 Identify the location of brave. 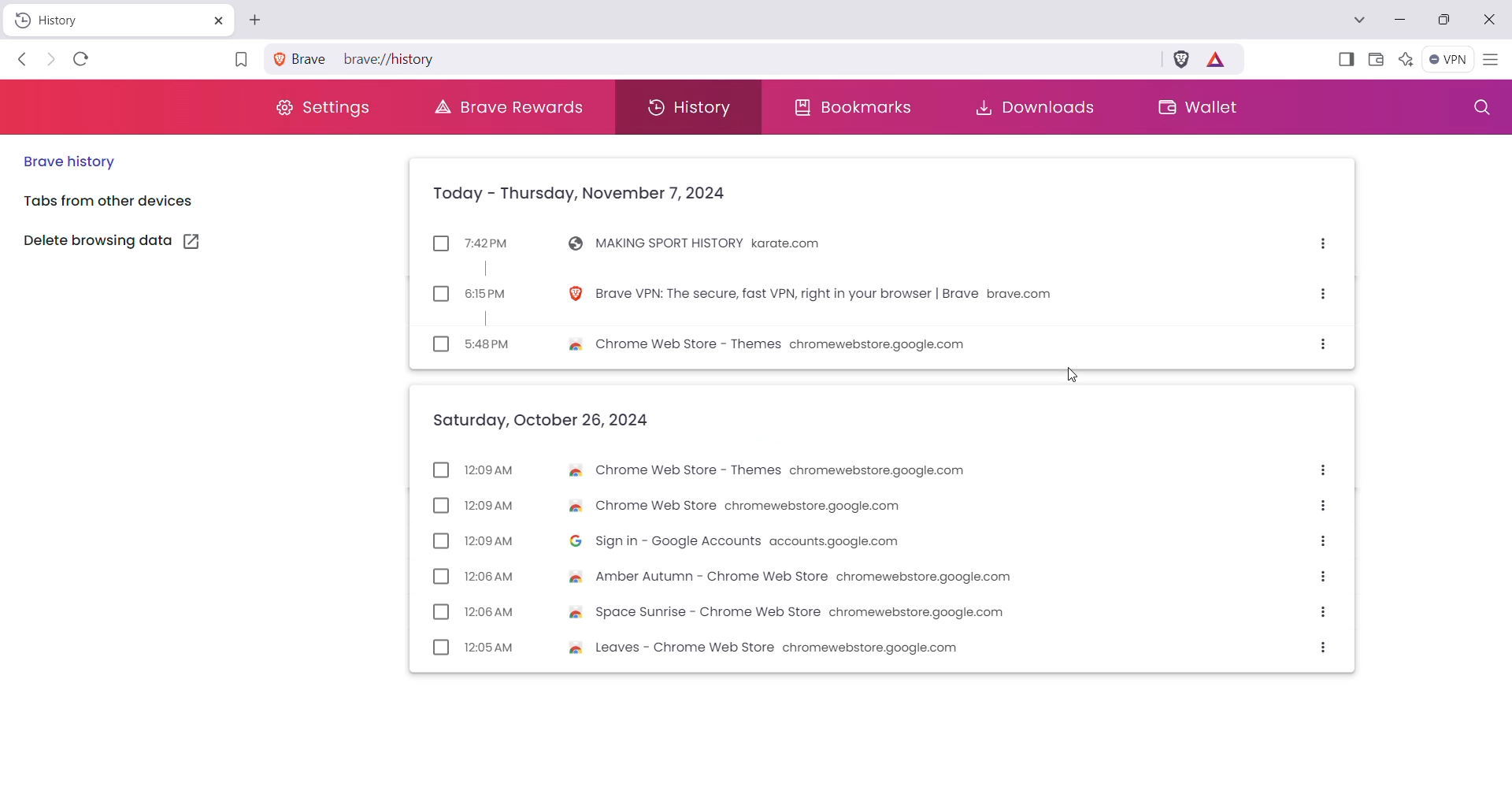
(301, 58).